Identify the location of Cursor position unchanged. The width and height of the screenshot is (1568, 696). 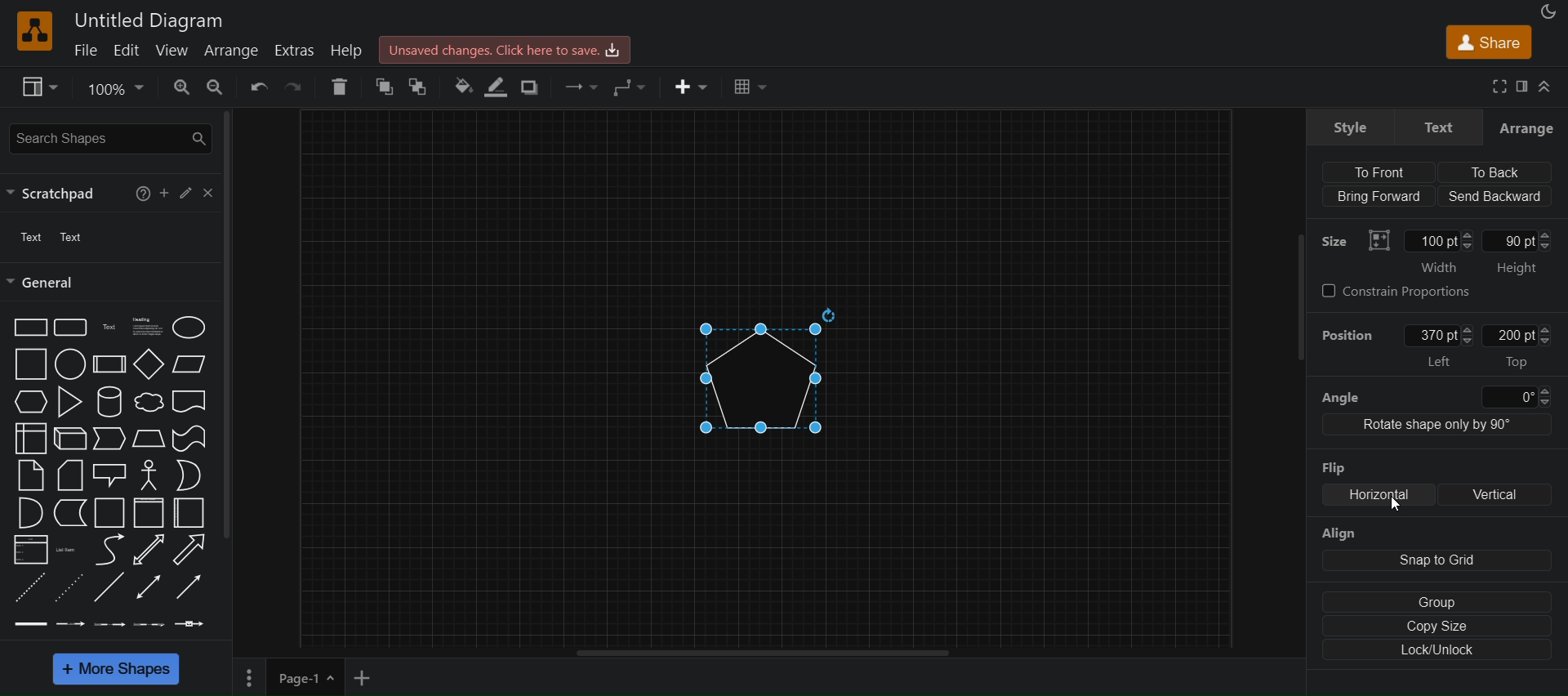
(1396, 504).